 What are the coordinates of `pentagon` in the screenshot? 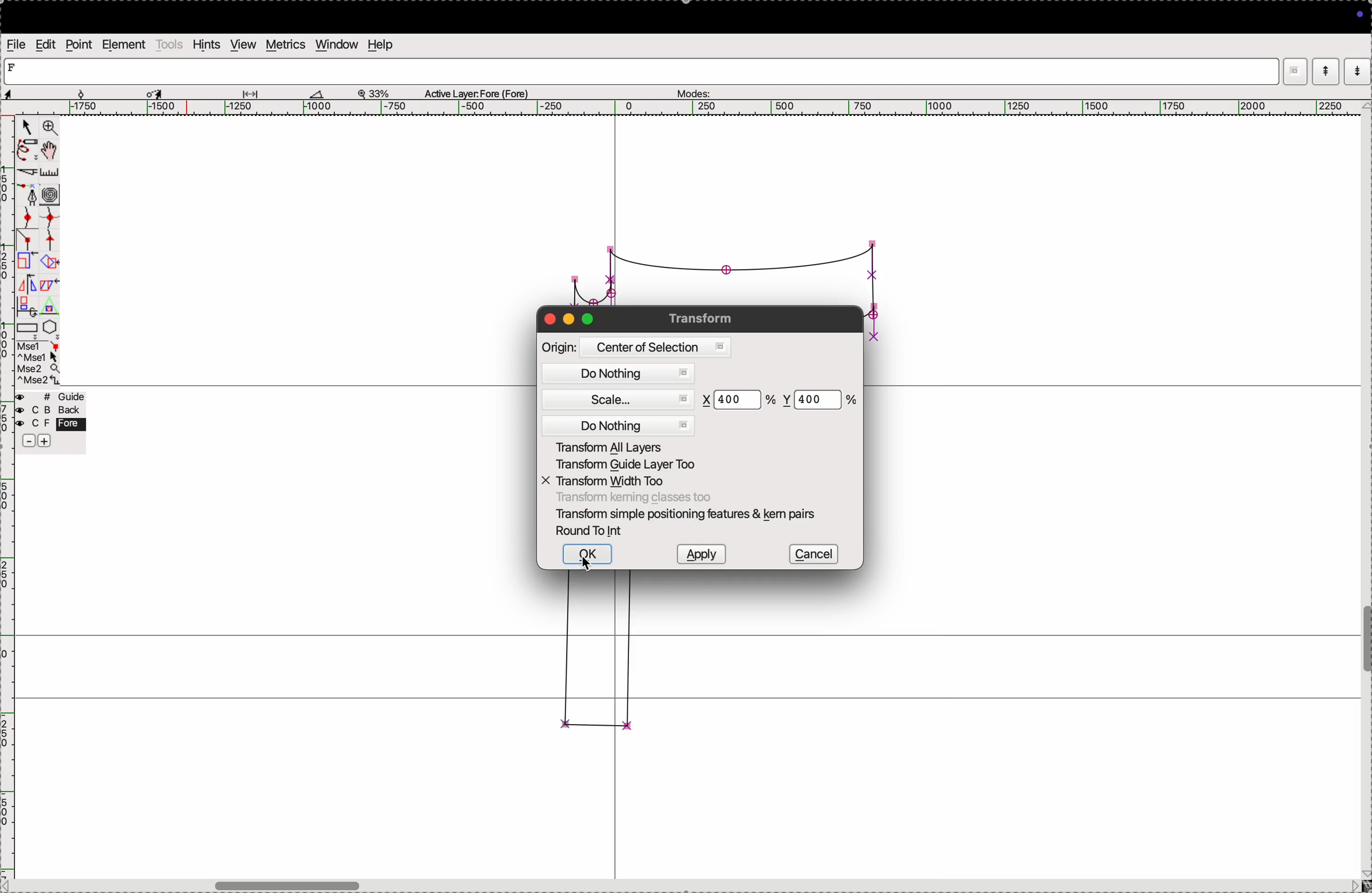 It's located at (50, 327).